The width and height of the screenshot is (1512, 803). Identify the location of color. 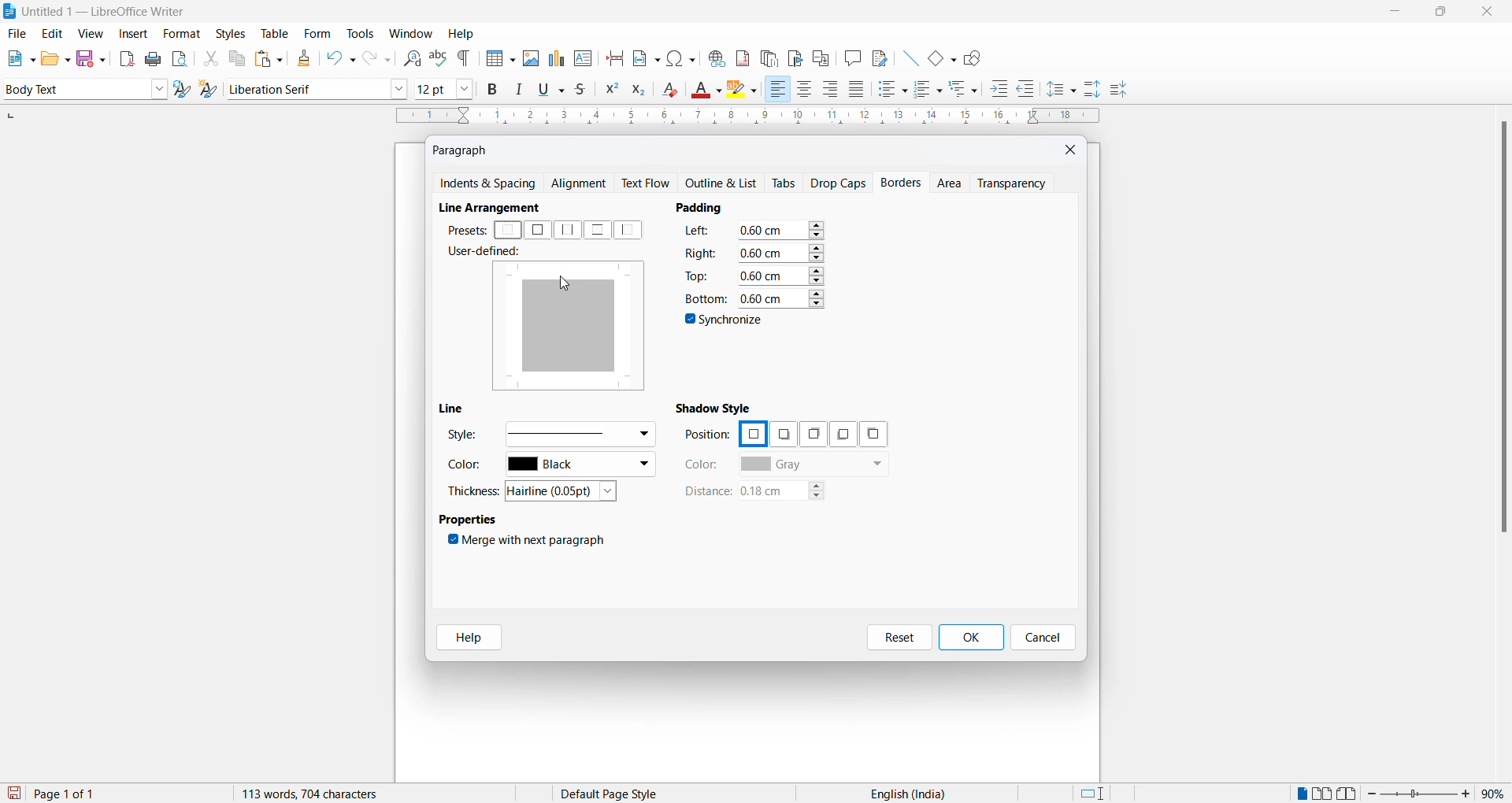
(469, 468).